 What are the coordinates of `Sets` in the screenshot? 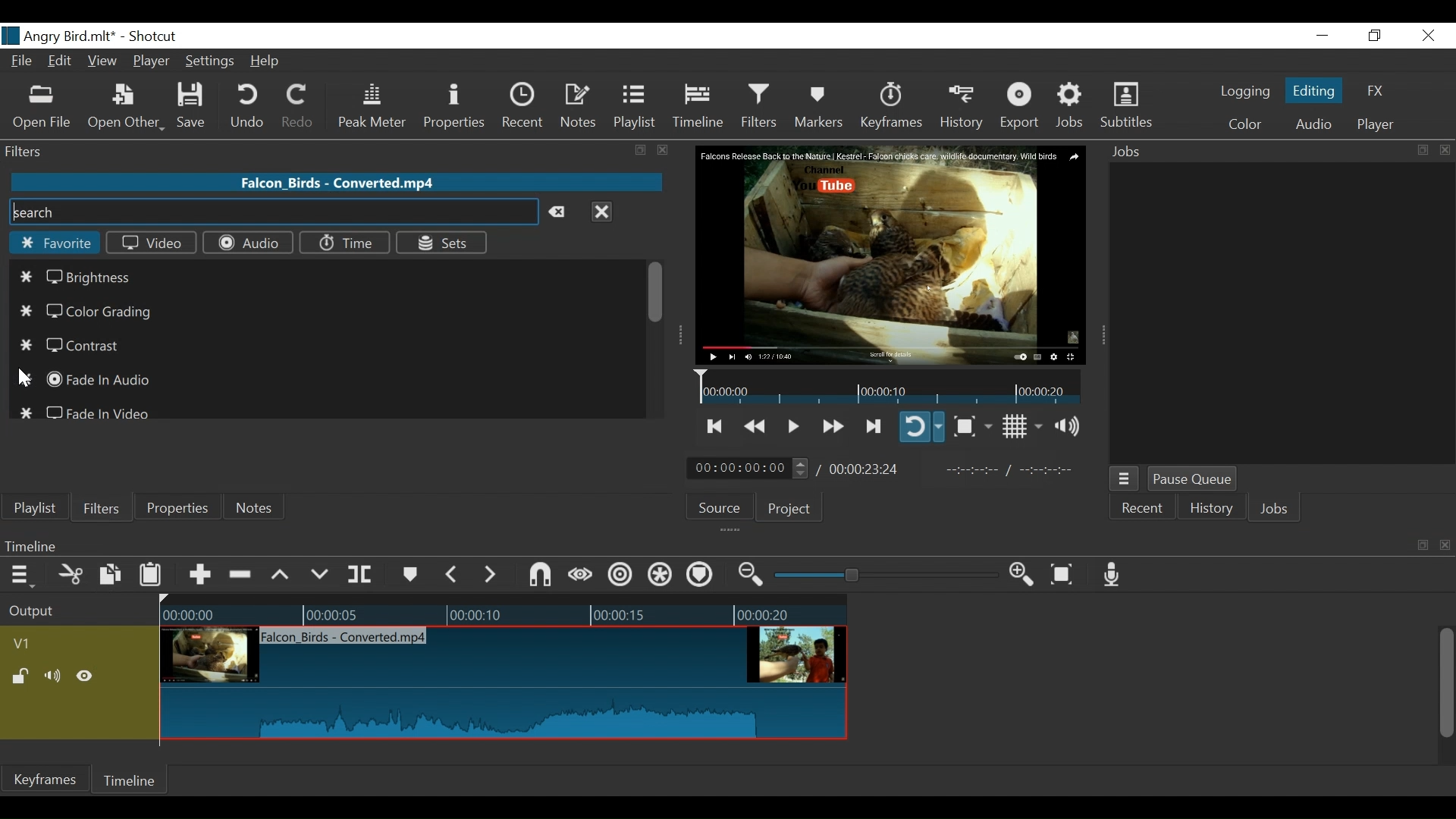 It's located at (441, 242).